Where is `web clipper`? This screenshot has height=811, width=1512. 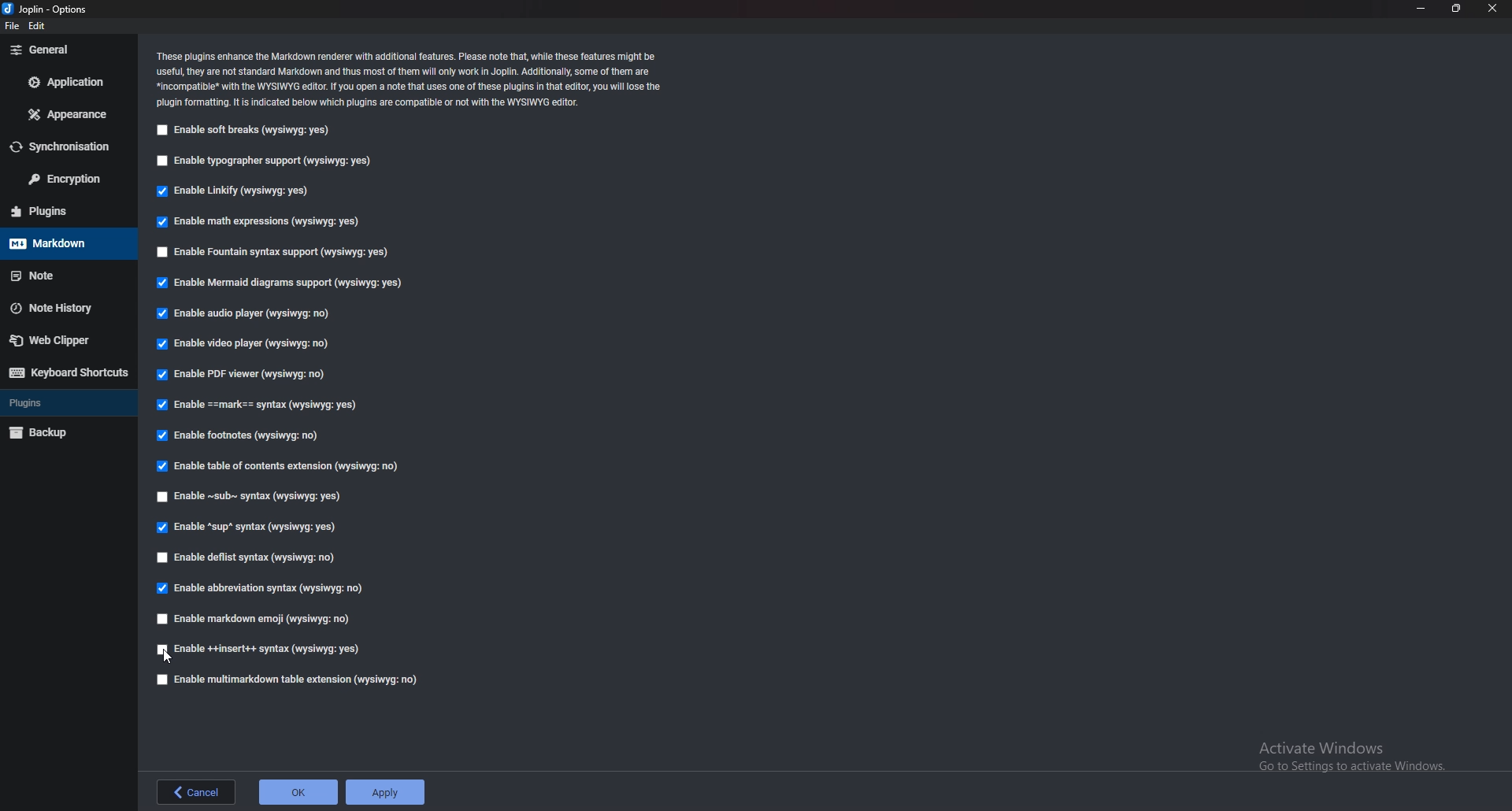 web clipper is located at coordinates (66, 341).